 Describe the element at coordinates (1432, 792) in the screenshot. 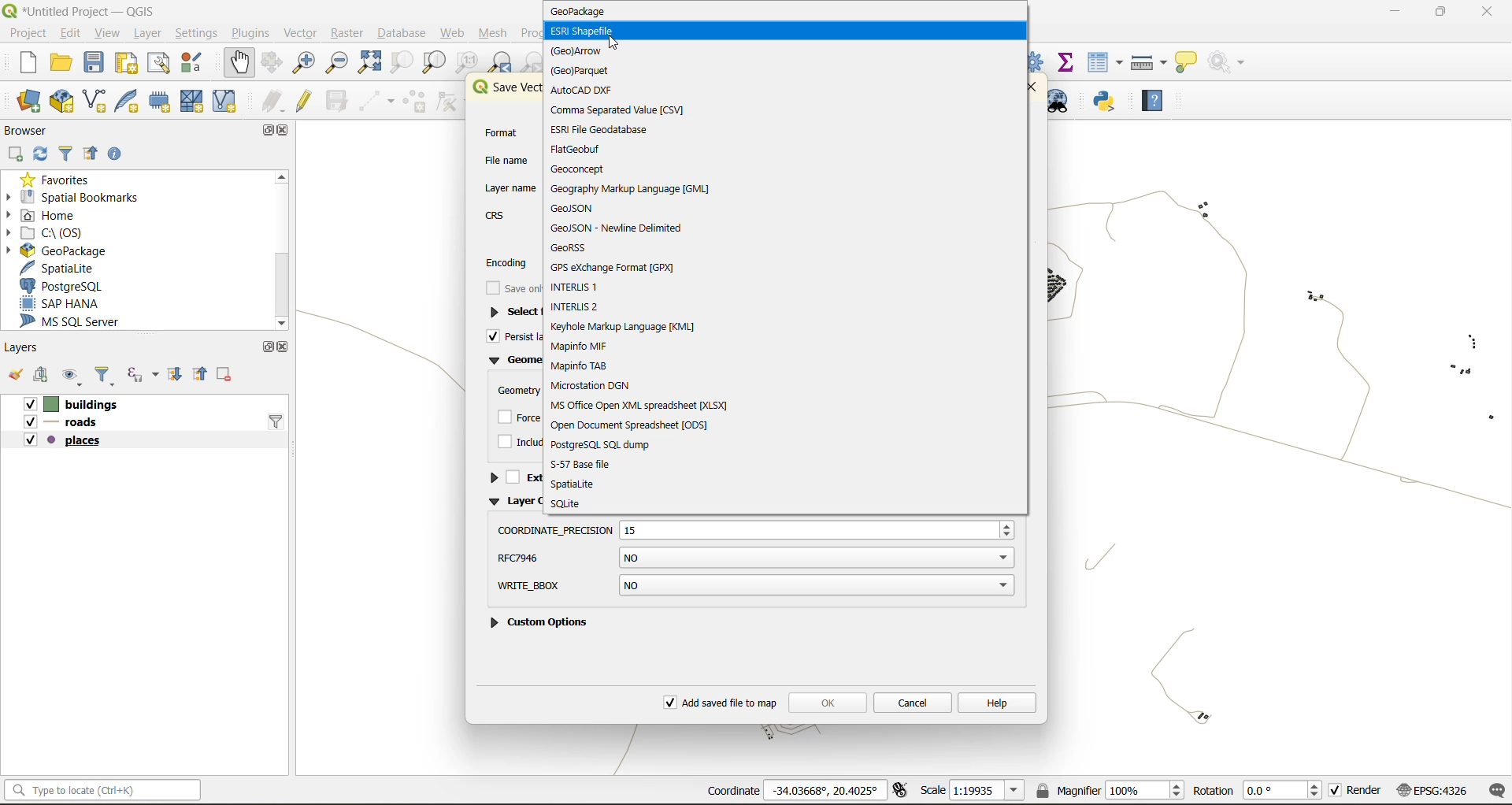

I see `crs` at that location.